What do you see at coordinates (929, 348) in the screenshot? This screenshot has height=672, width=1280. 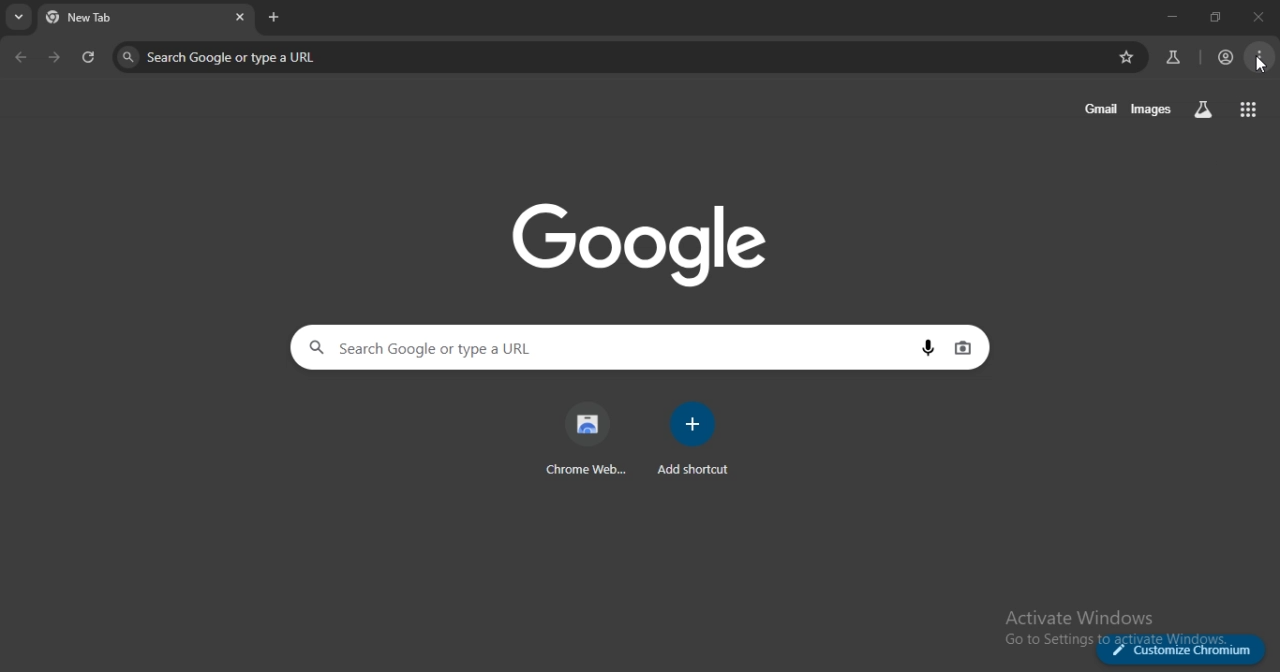 I see `voice search` at bounding box center [929, 348].